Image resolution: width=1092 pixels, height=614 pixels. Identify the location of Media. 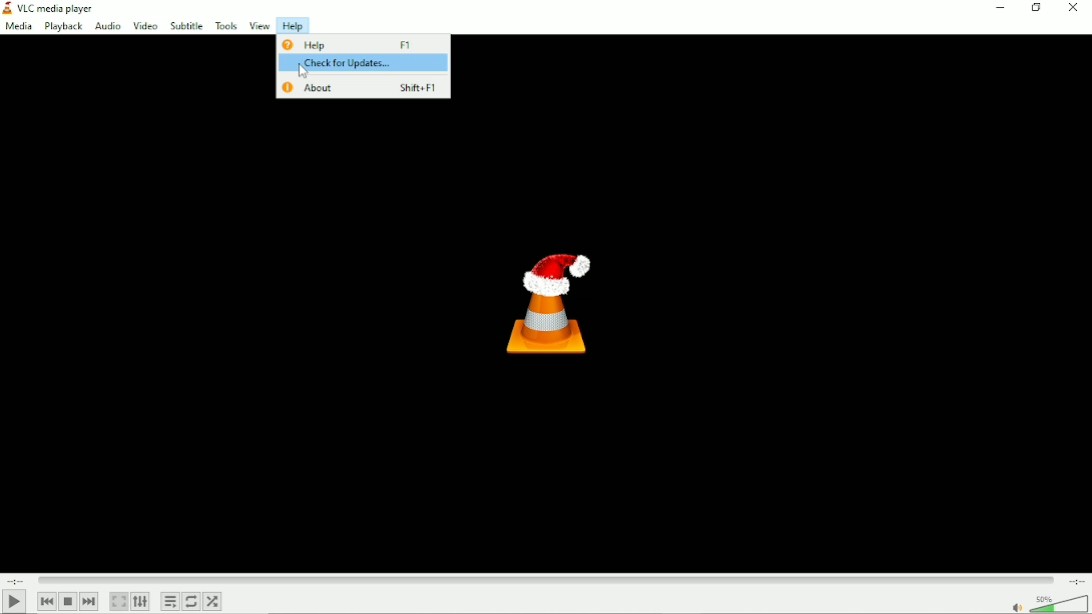
(20, 27).